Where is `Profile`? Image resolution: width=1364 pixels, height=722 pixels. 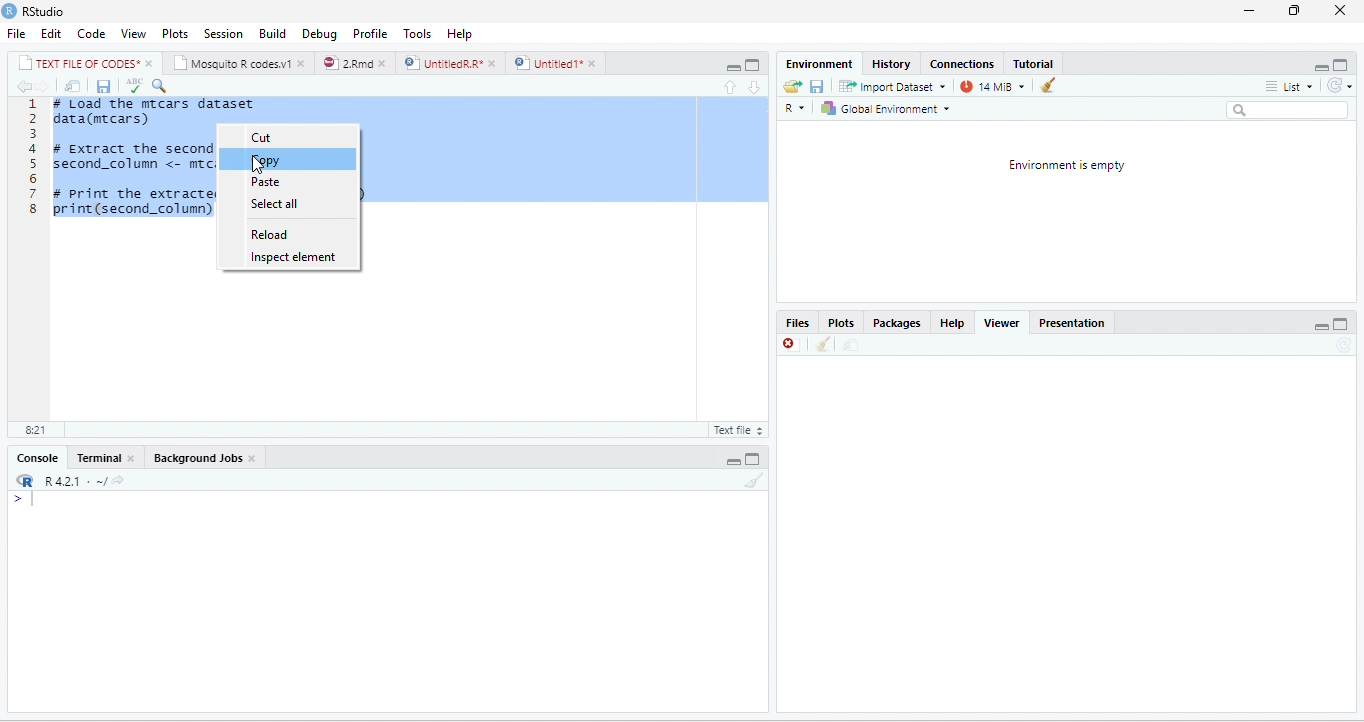 Profile is located at coordinates (371, 32).